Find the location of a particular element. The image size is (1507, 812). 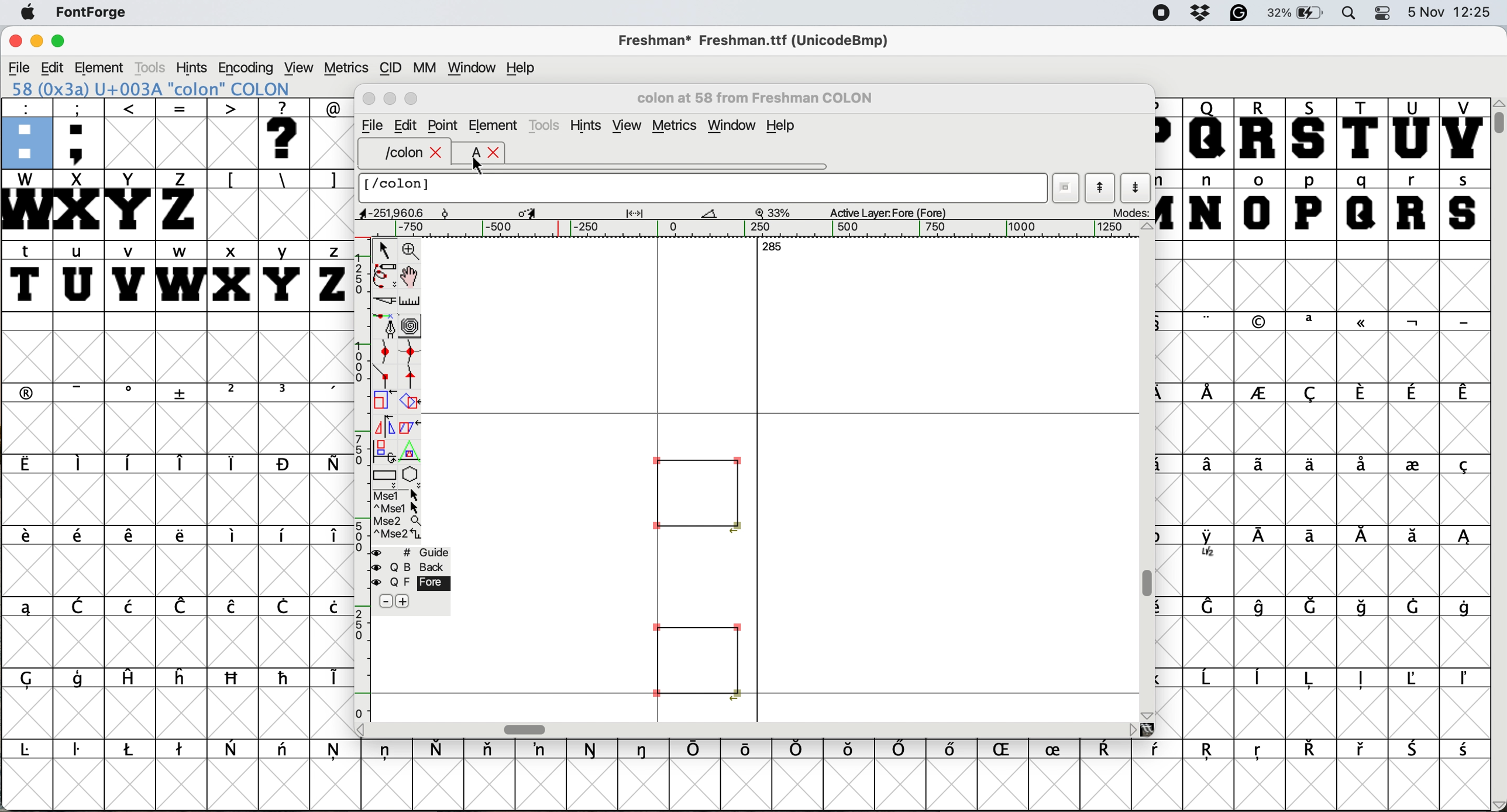

element is located at coordinates (493, 125).